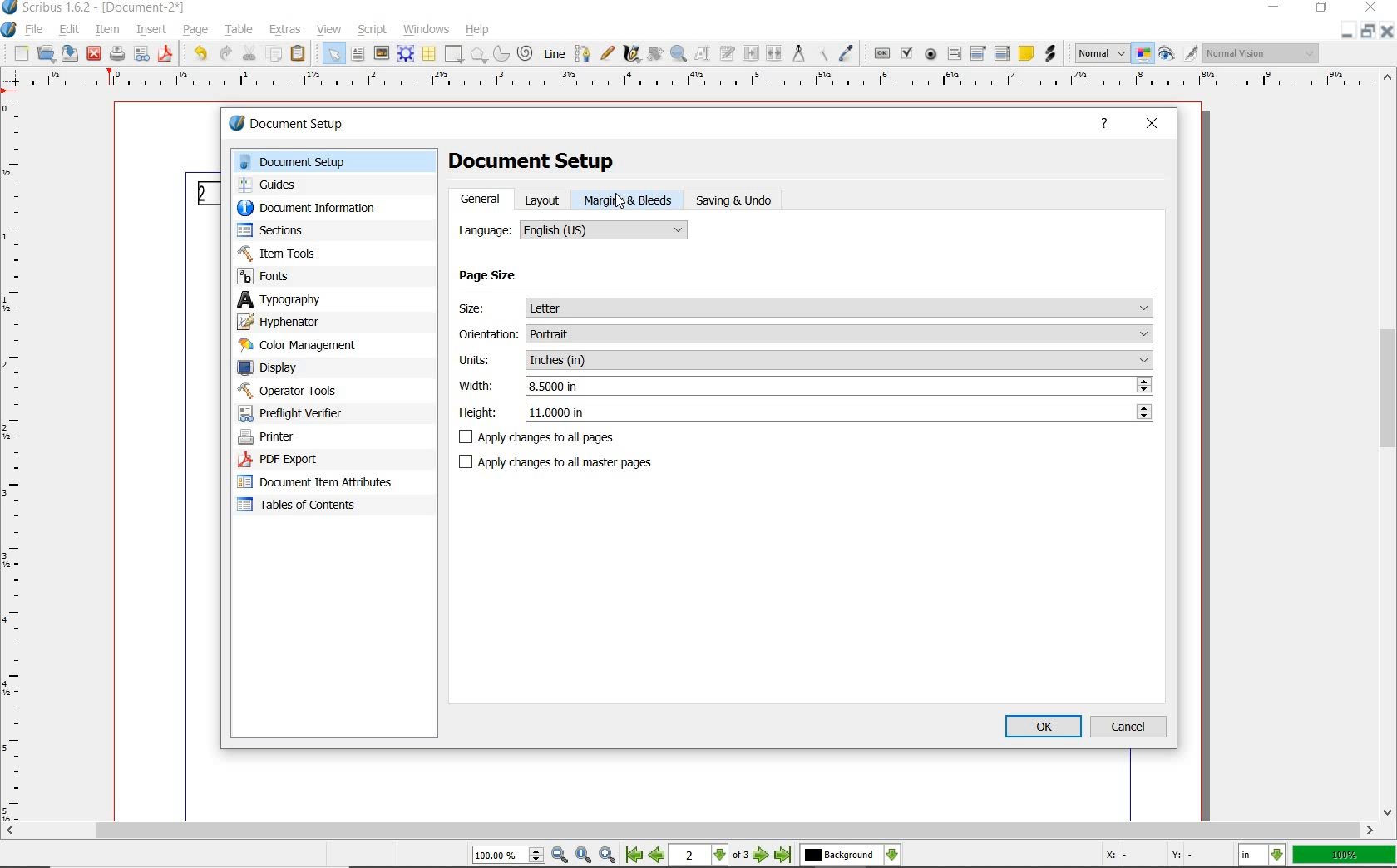 The height and width of the screenshot is (868, 1397). What do you see at coordinates (1003, 54) in the screenshot?
I see `pdf list box` at bounding box center [1003, 54].